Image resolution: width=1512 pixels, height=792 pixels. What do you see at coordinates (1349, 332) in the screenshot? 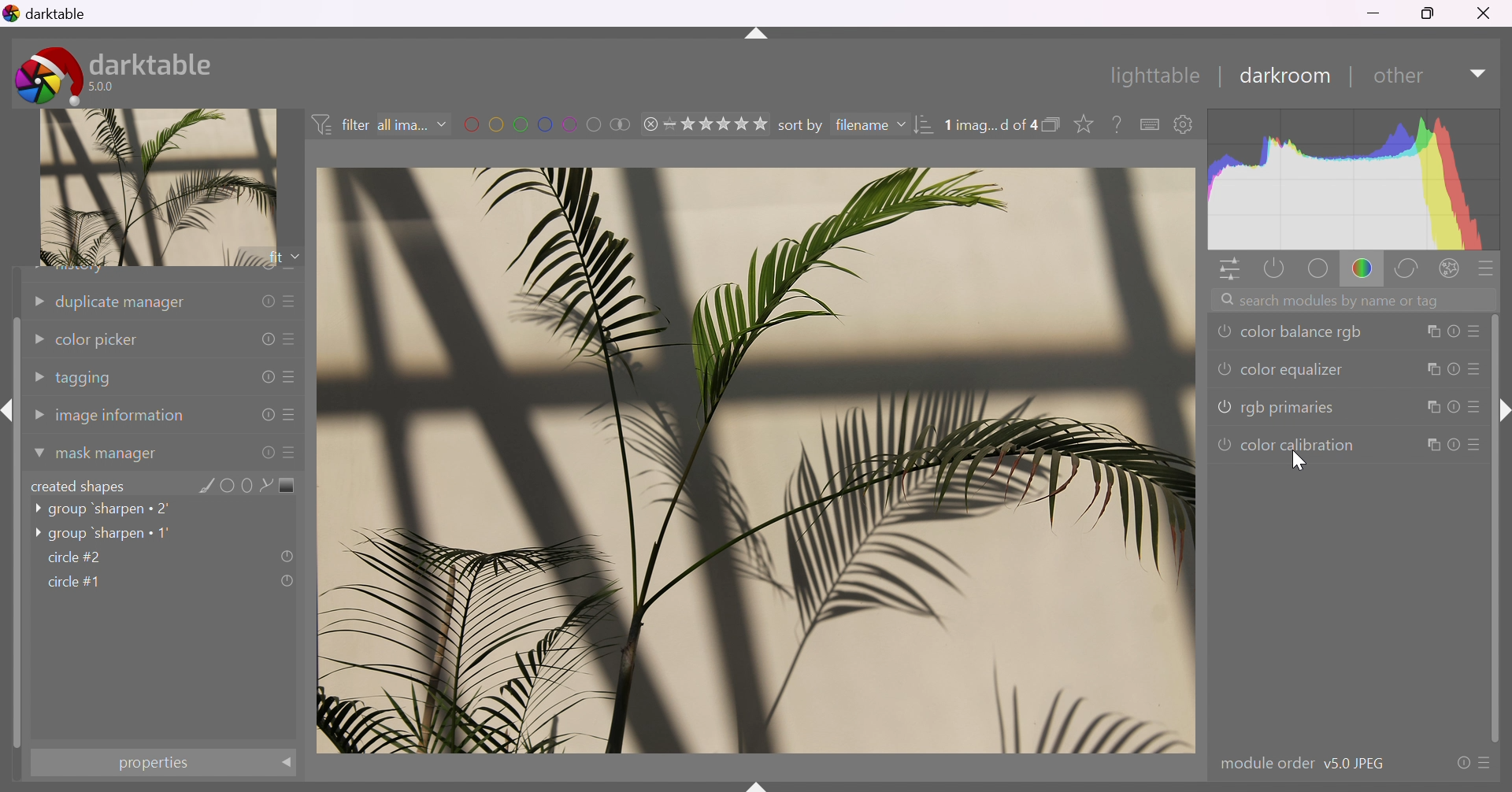
I see `color balance rgb` at bounding box center [1349, 332].